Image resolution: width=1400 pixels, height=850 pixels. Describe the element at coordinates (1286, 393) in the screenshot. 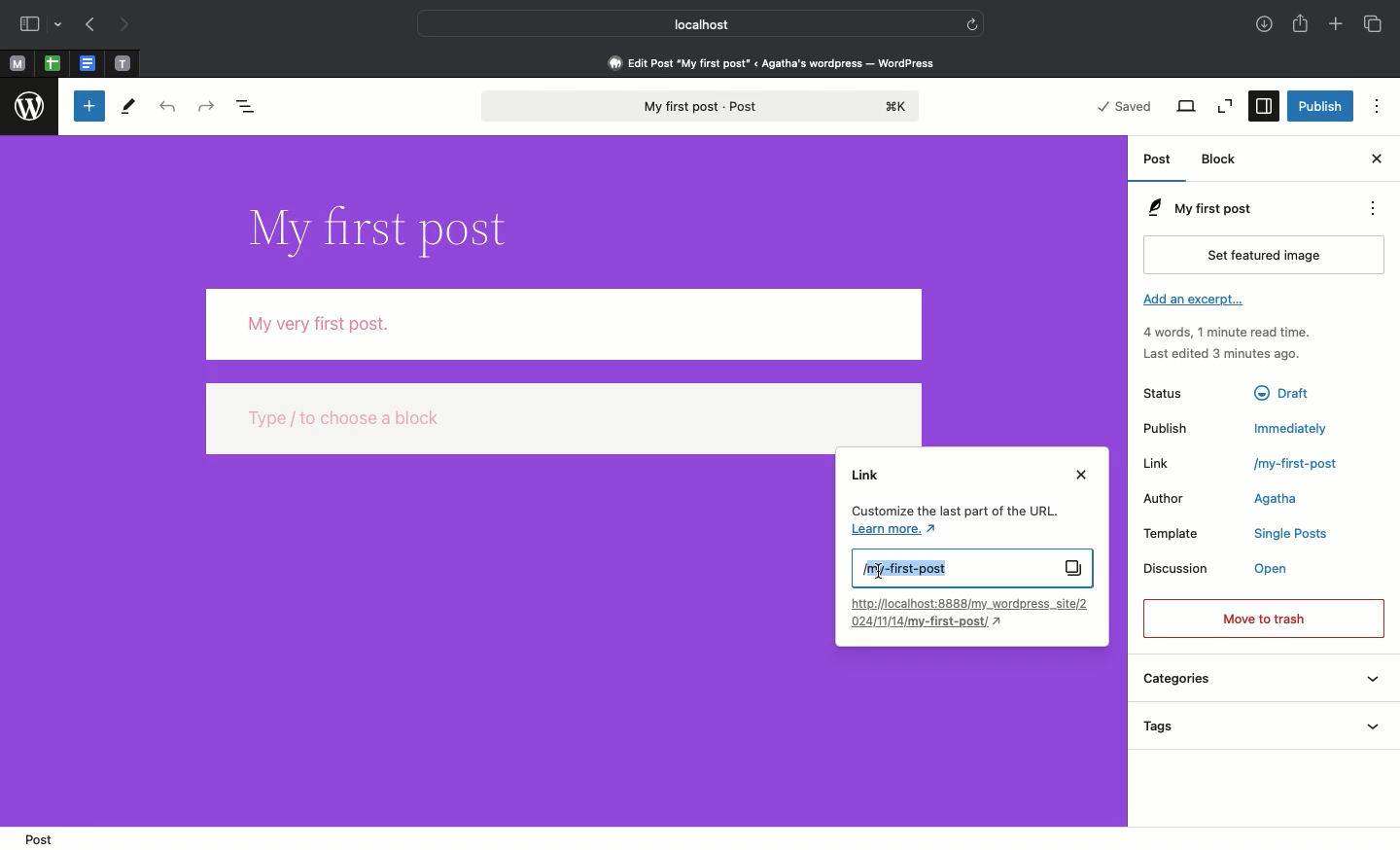

I see `Draft` at that location.